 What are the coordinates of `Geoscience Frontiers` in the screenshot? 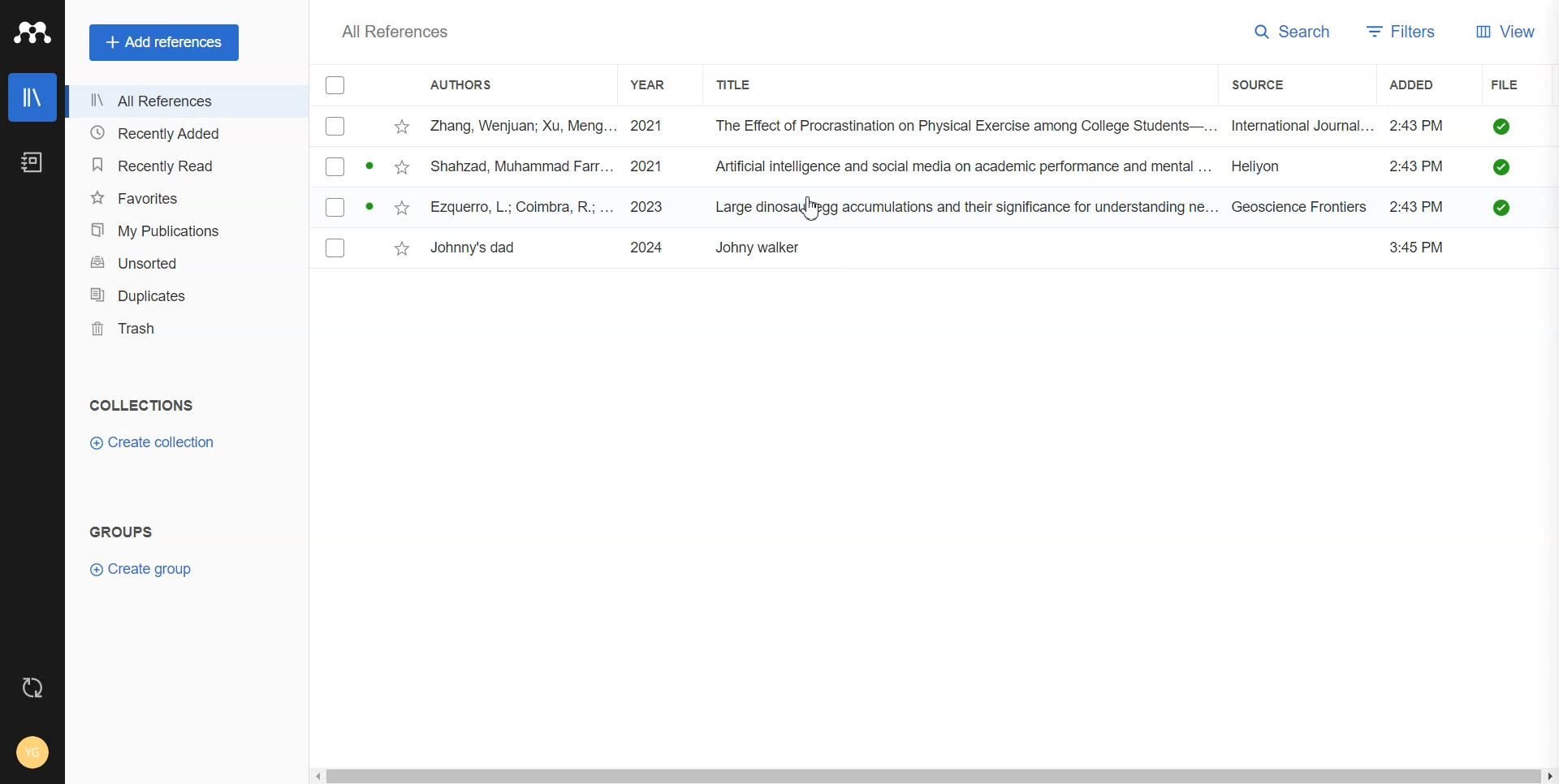 It's located at (1299, 207).